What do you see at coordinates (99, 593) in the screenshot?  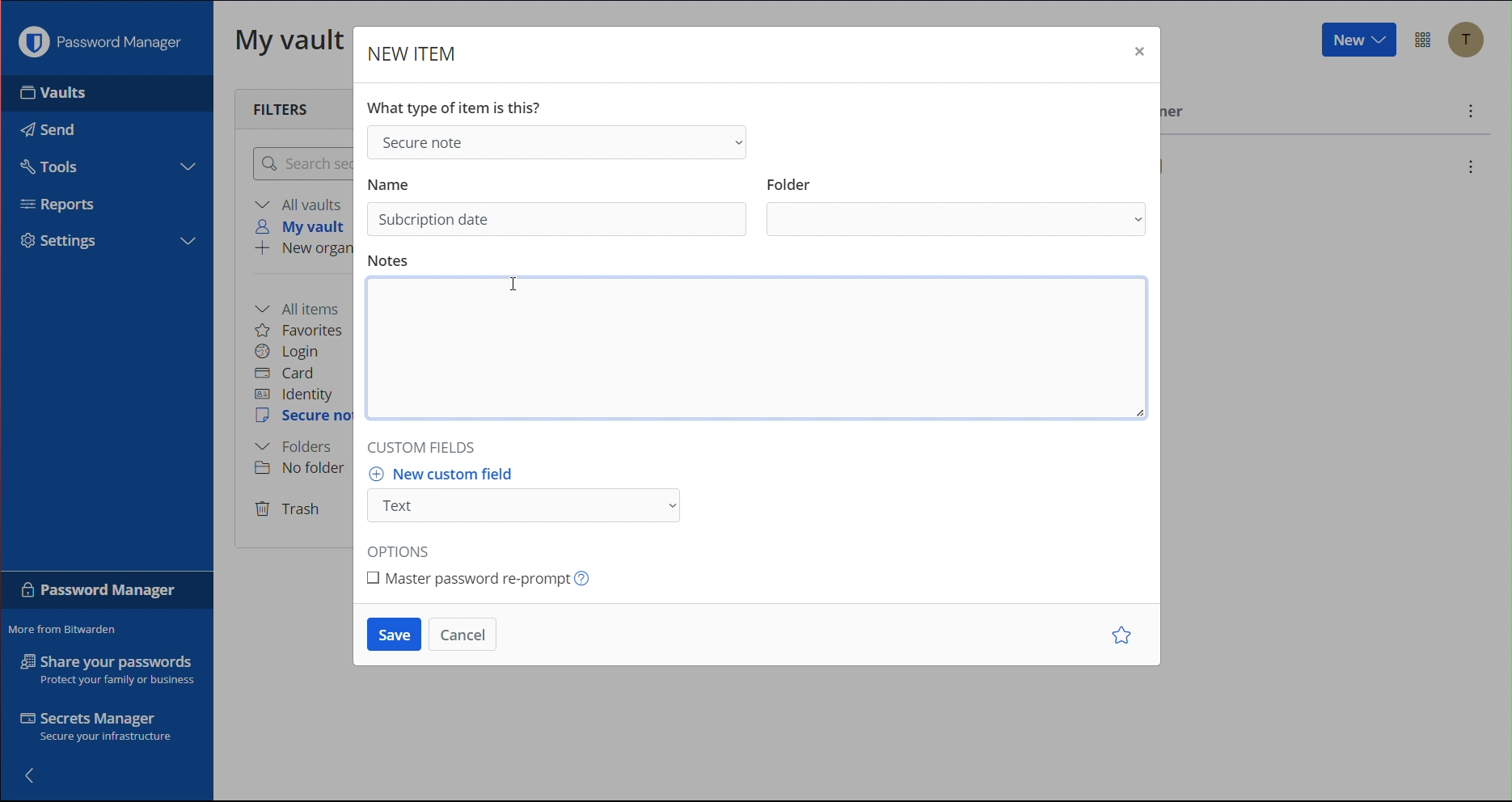 I see `Password` at bounding box center [99, 593].